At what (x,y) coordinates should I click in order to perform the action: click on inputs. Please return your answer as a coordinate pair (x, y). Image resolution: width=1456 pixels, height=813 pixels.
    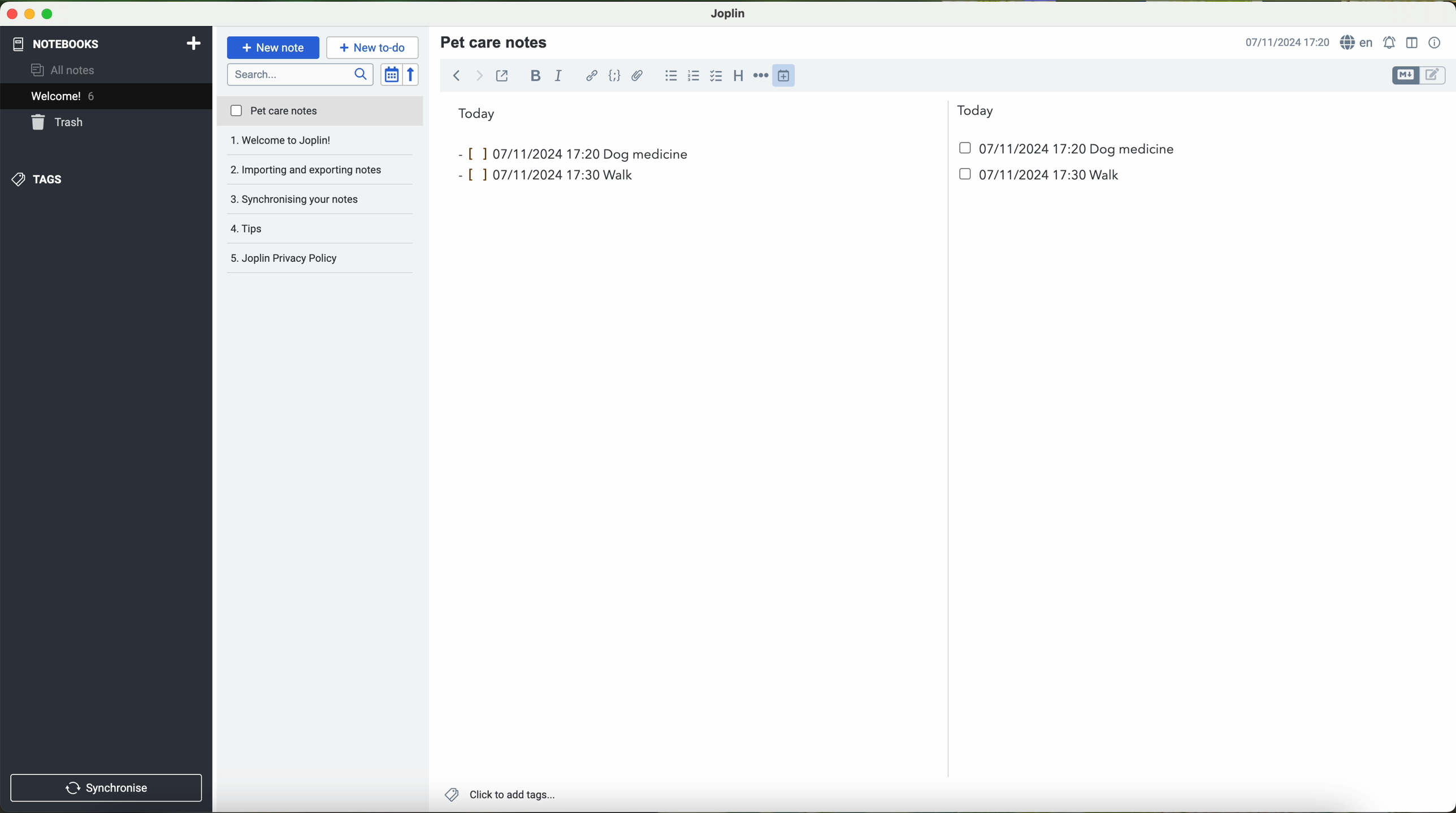
    Looking at the image, I should click on (524, 153).